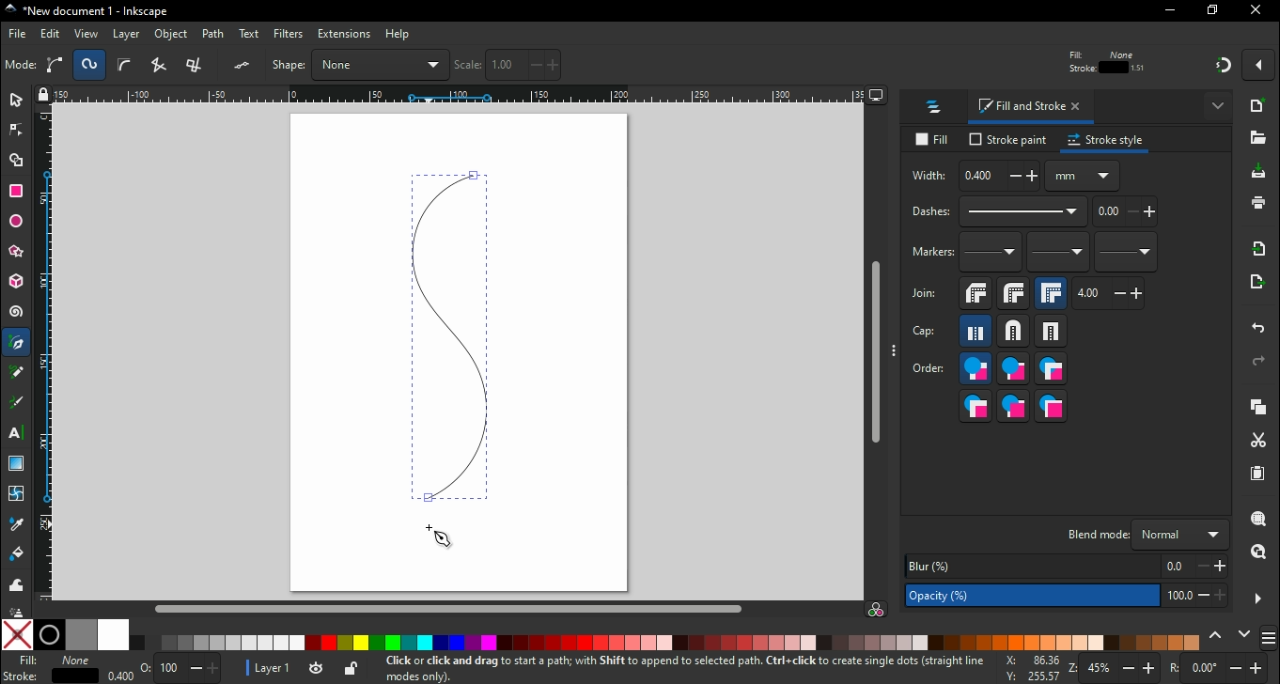 The image size is (1280, 684). I want to click on mid marker, so click(1057, 256).